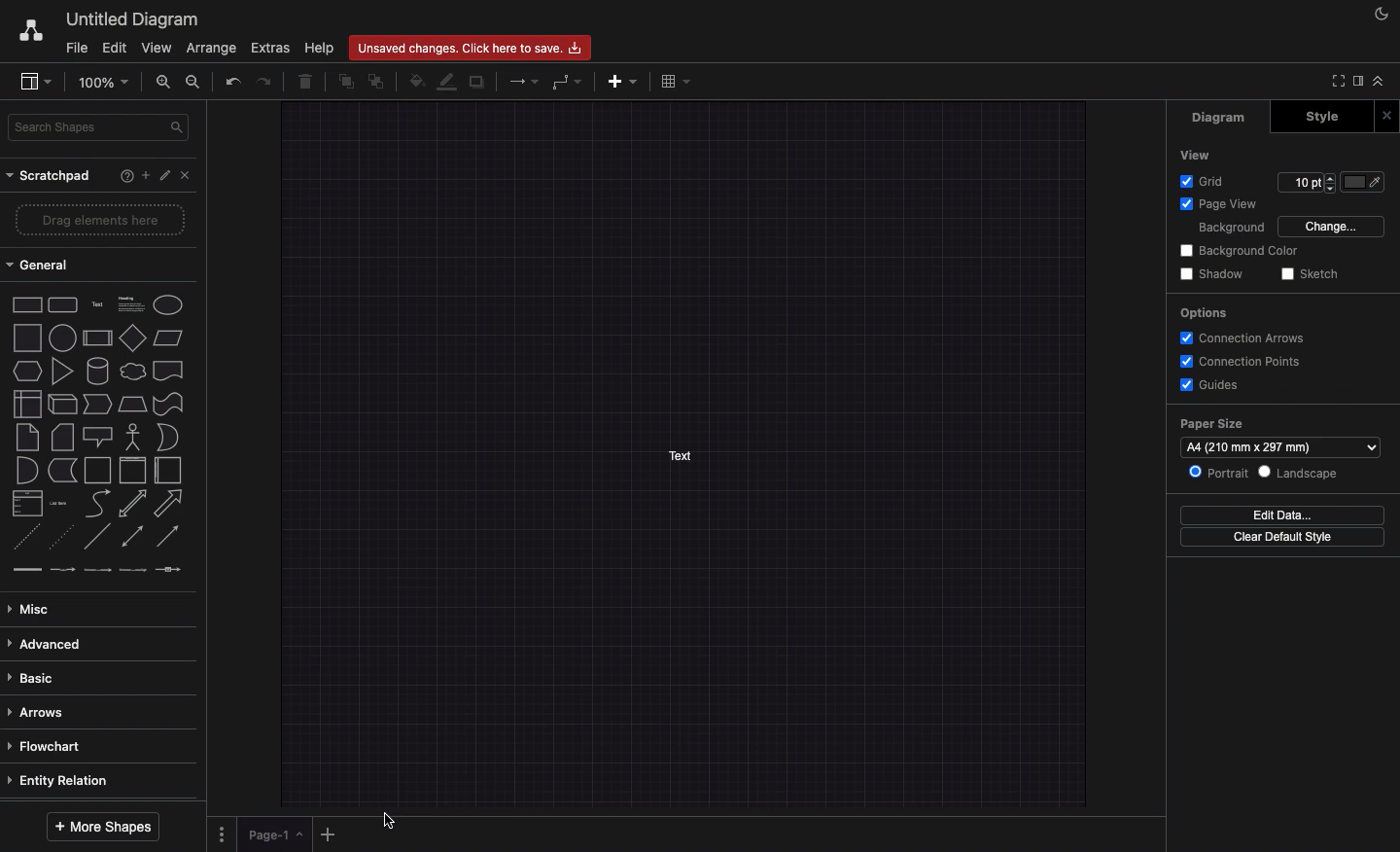 The width and height of the screenshot is (1400, 852). Describe the element at coordinates (1231, 229) in the screenshot. I see `Background` at that location.